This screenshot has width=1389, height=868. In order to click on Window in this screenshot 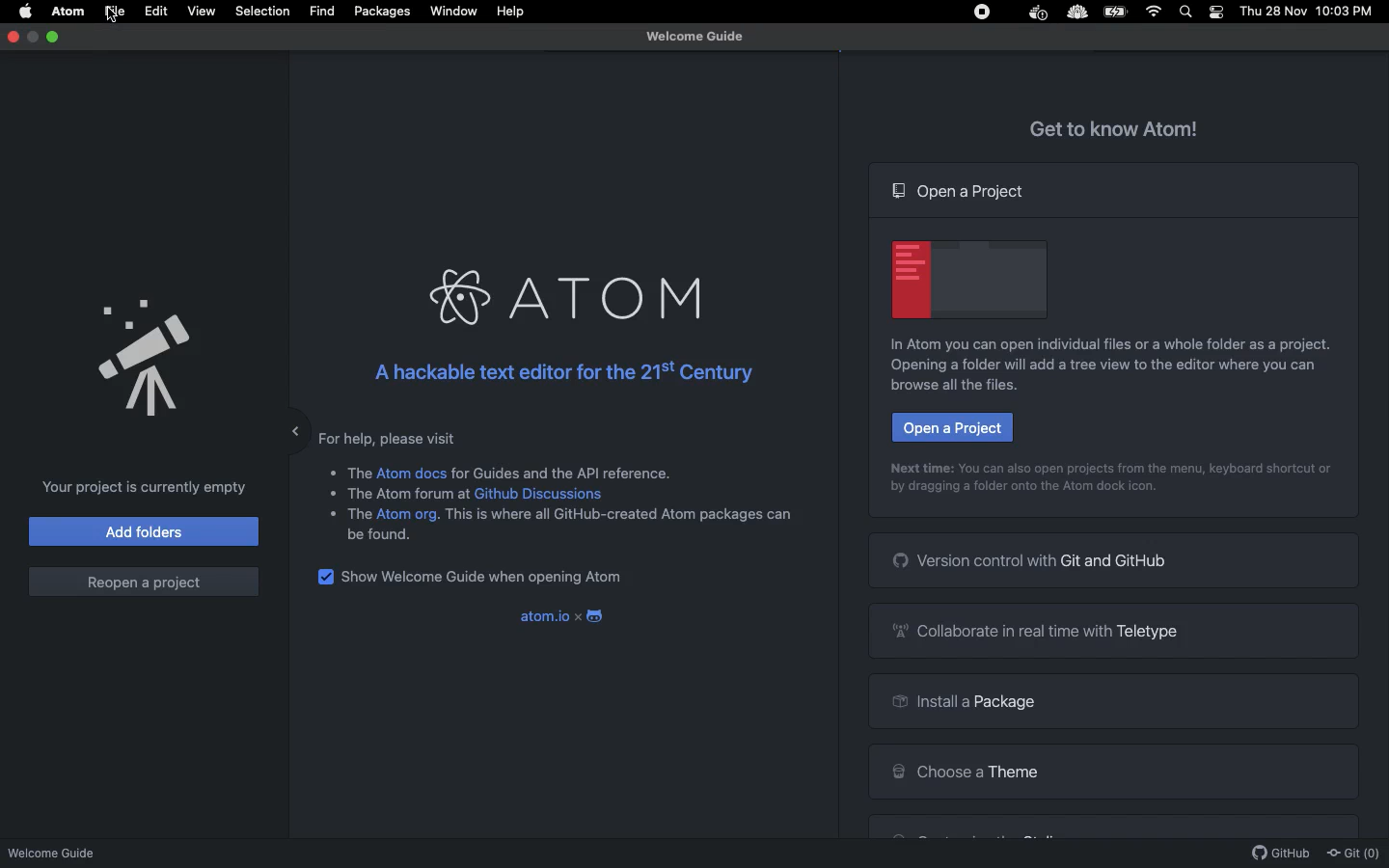, I will do `click(454, 12)`.